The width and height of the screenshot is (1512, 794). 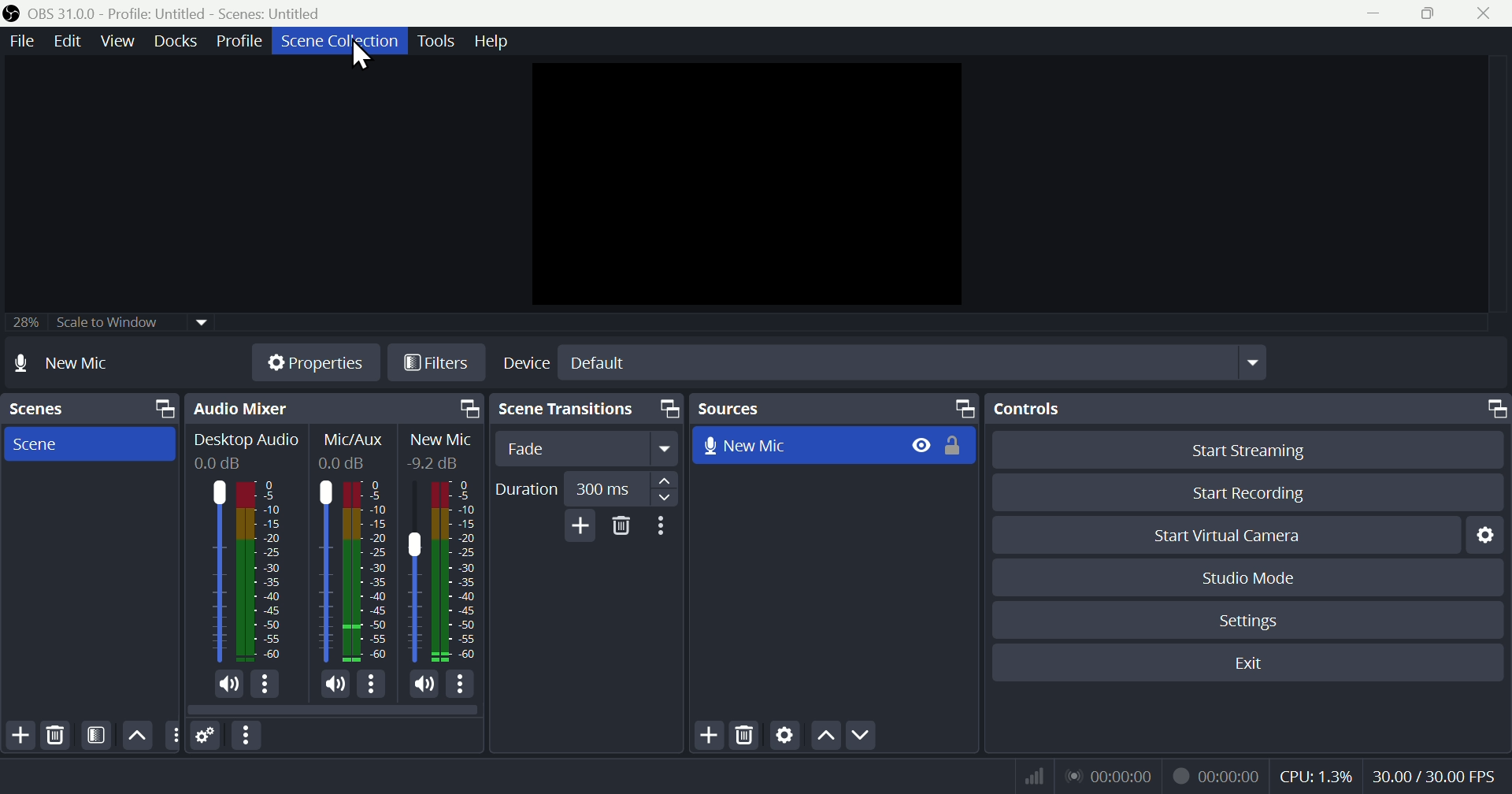 I want to click on Duration 300 millisecond , so click(x=582, y=487).